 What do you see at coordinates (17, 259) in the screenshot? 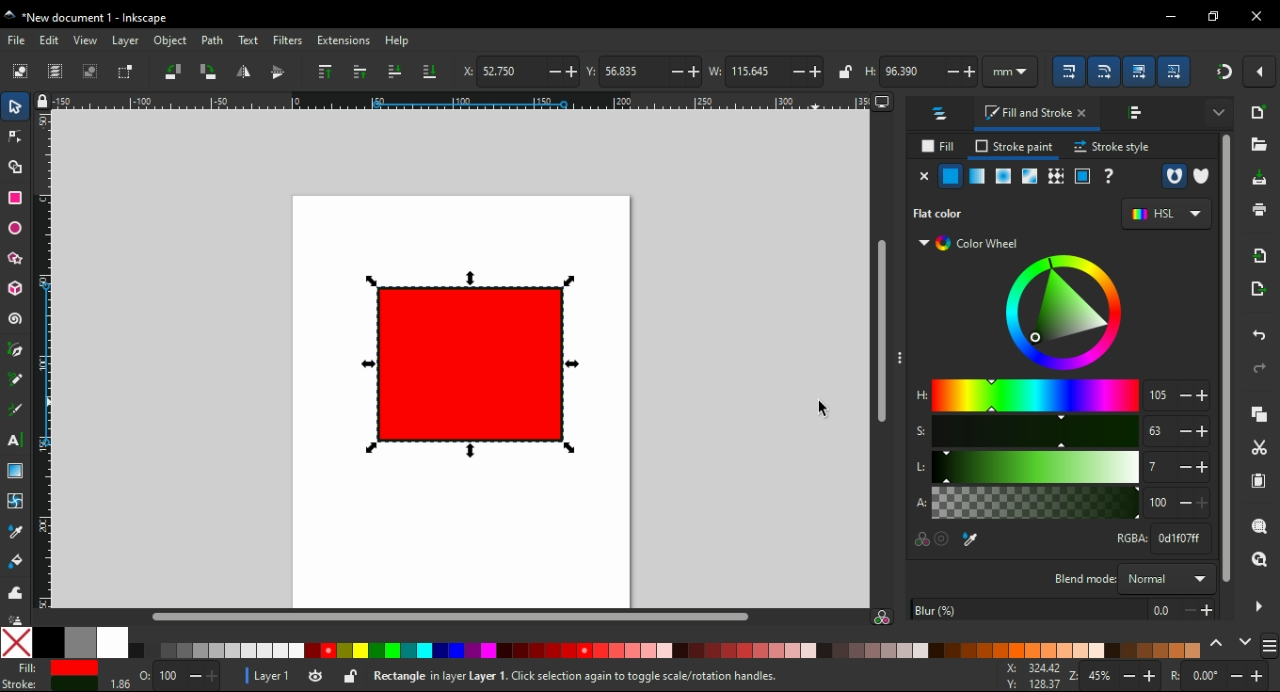
I see `star/polygon tool` at bounding box center [17, 259].